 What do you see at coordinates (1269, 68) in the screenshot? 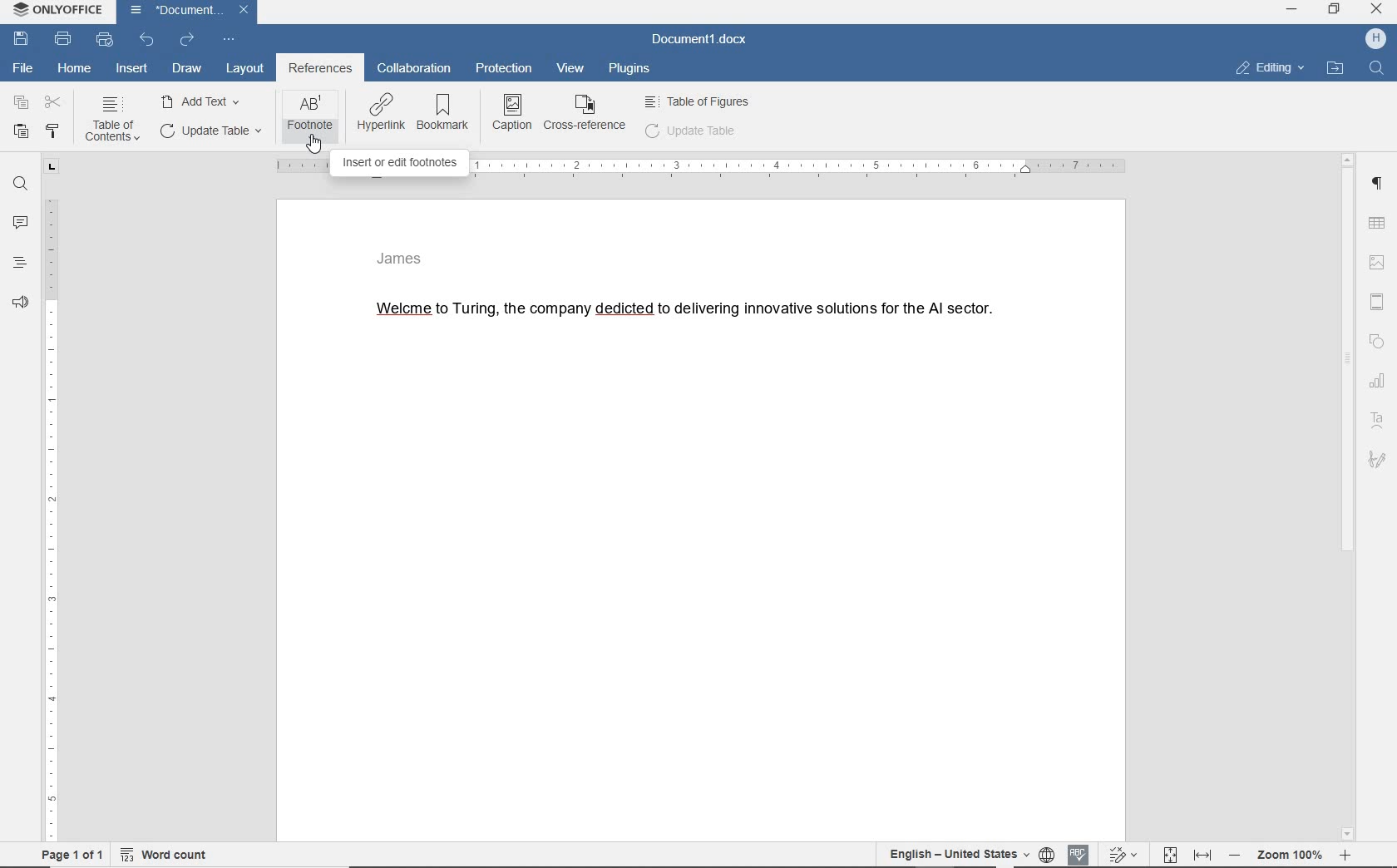
I see `EDITING` at bounding box center [1269, 68].